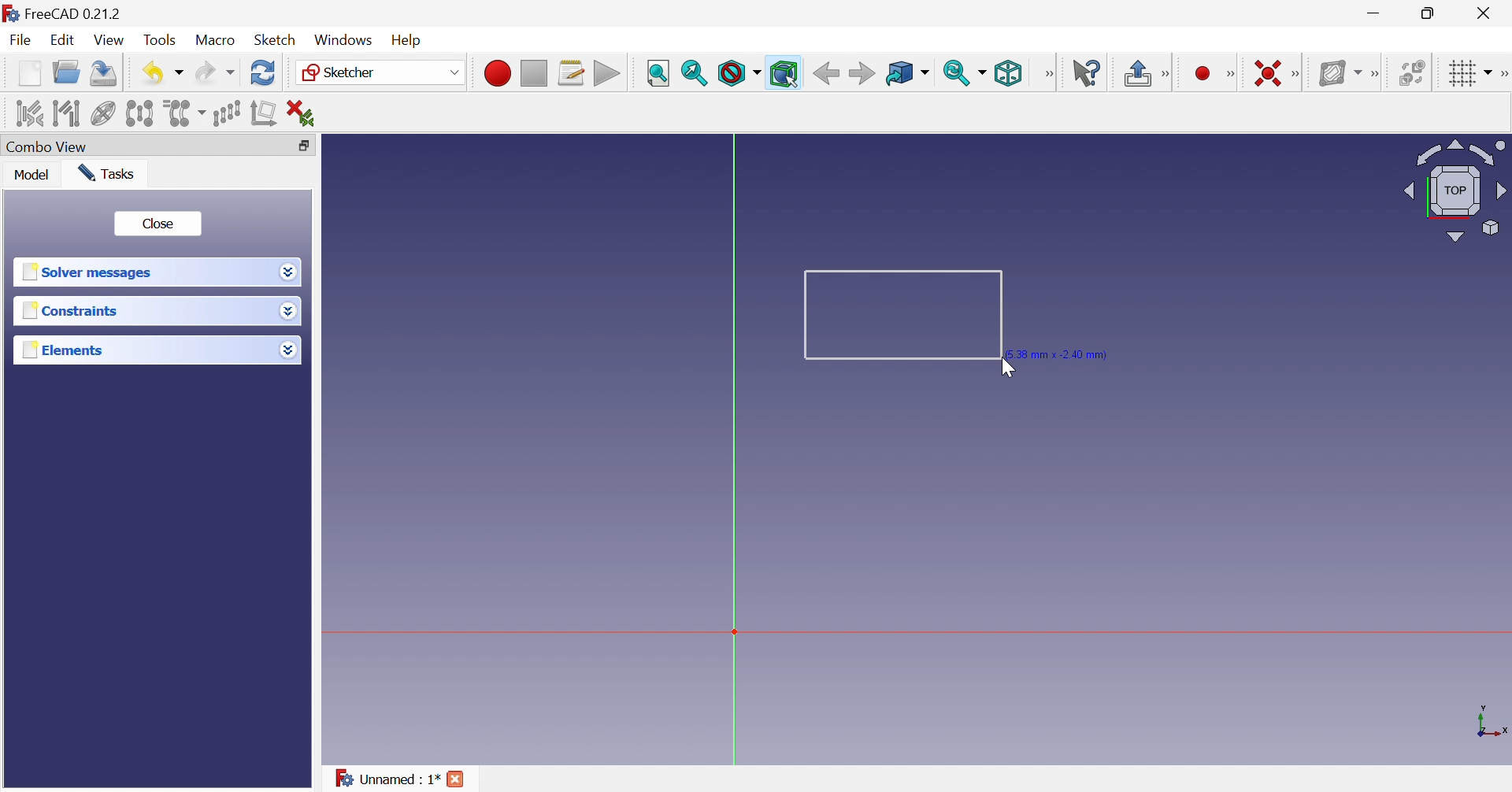  Describe the element at coordinates (1167, 73) in the screenshot. I see `Sketcher edit mode` at that location.